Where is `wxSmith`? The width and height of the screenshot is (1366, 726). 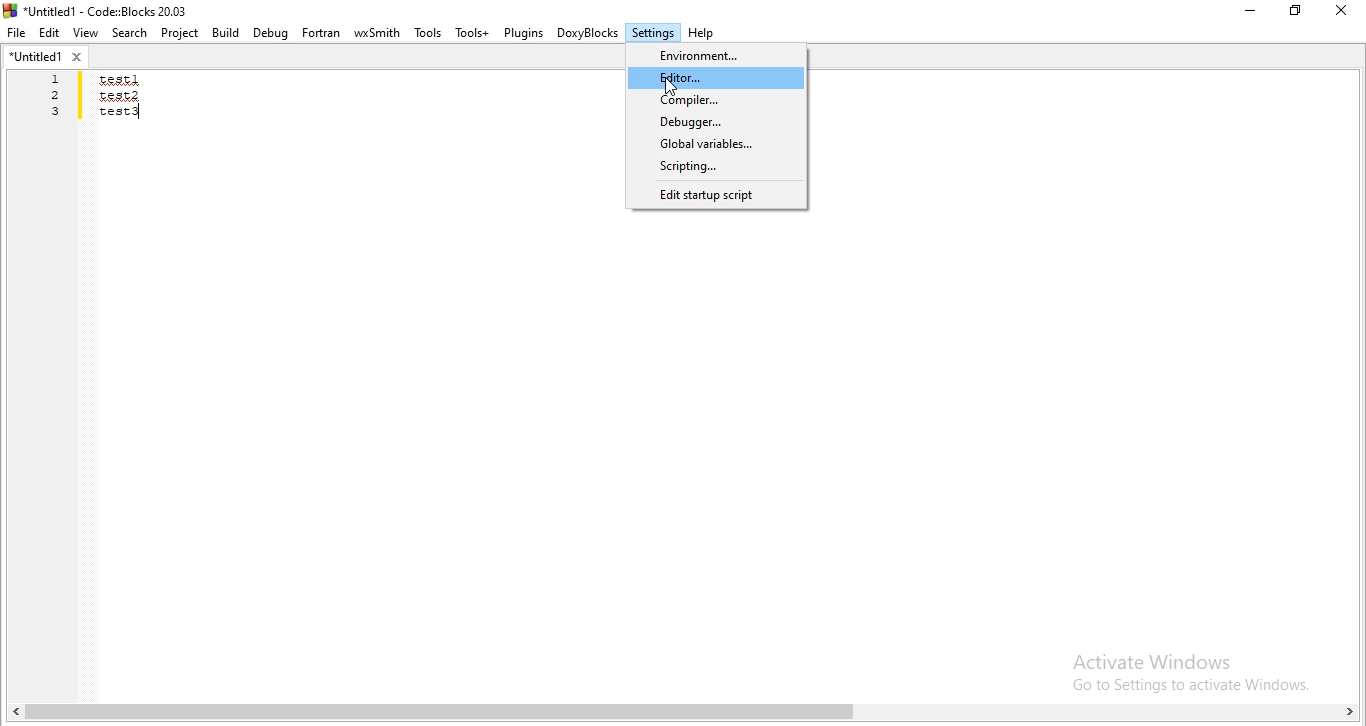 wxSmith is located at coordinates (377, 34).